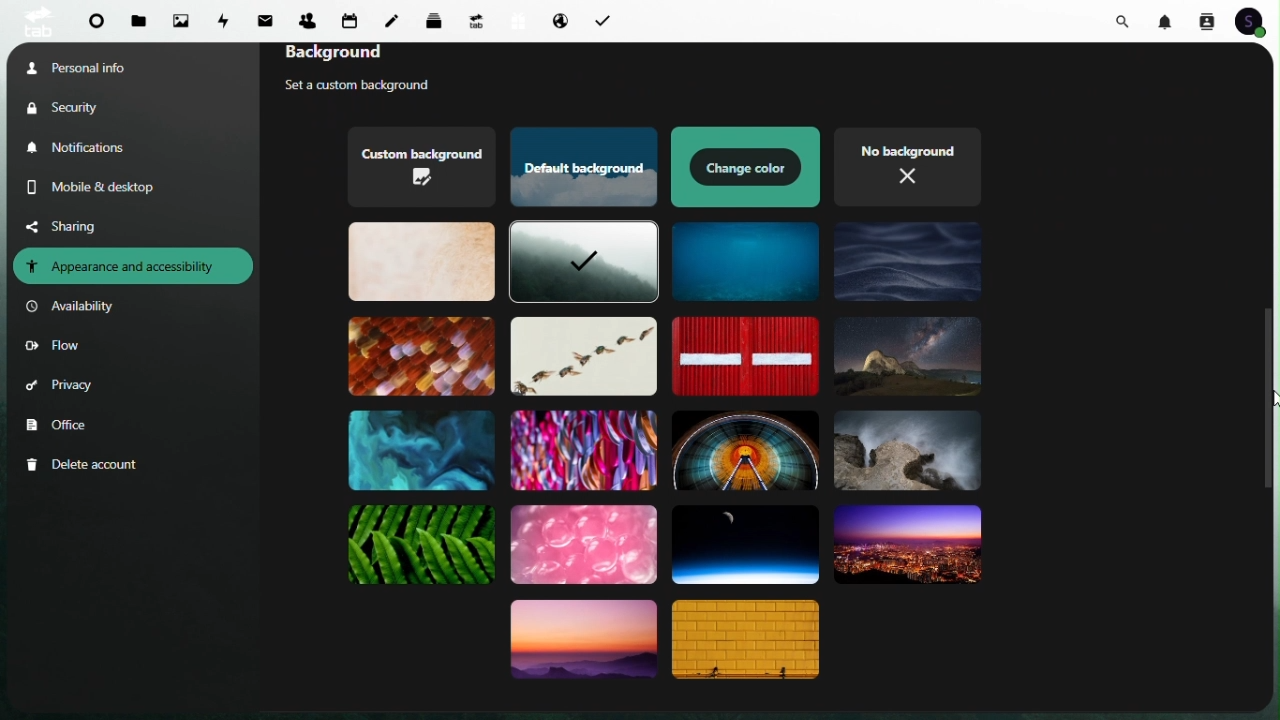  I want to click on deck, so click(438, 19).